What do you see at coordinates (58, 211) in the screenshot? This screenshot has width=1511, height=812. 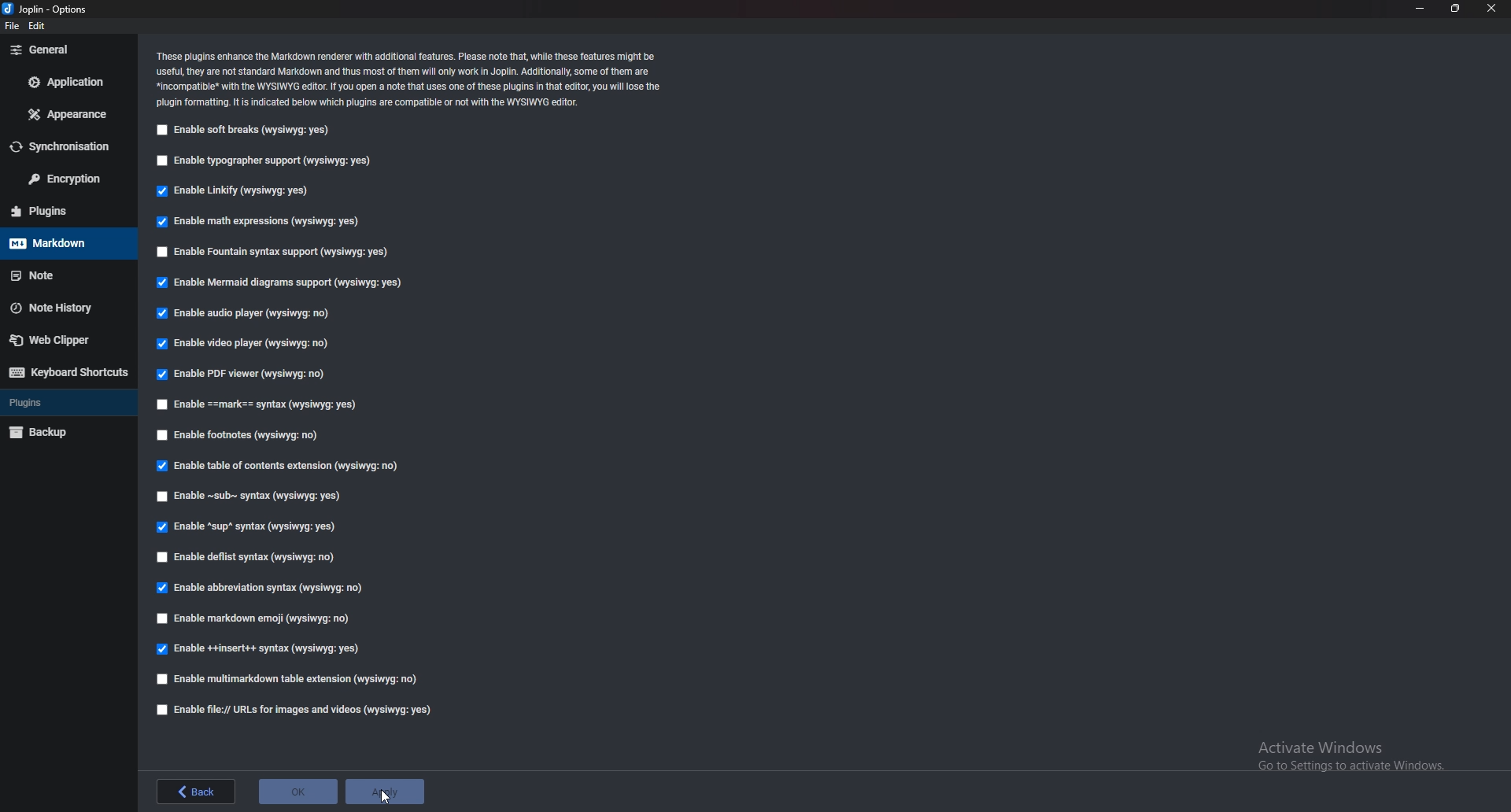 I see `Plugins` at bounding box center [58, 211].